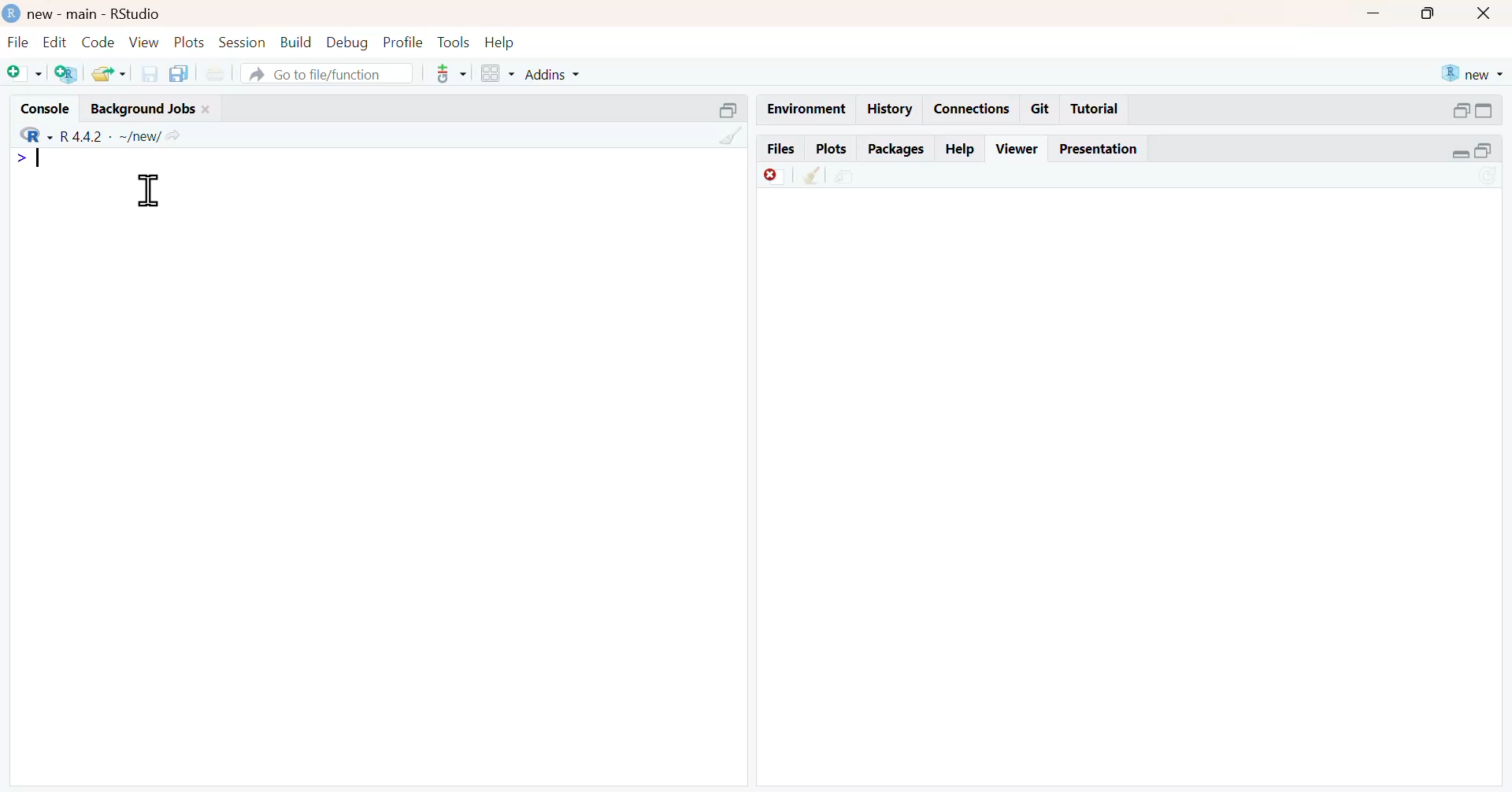  I want to click on remove current viewer item, so click(773, 176).